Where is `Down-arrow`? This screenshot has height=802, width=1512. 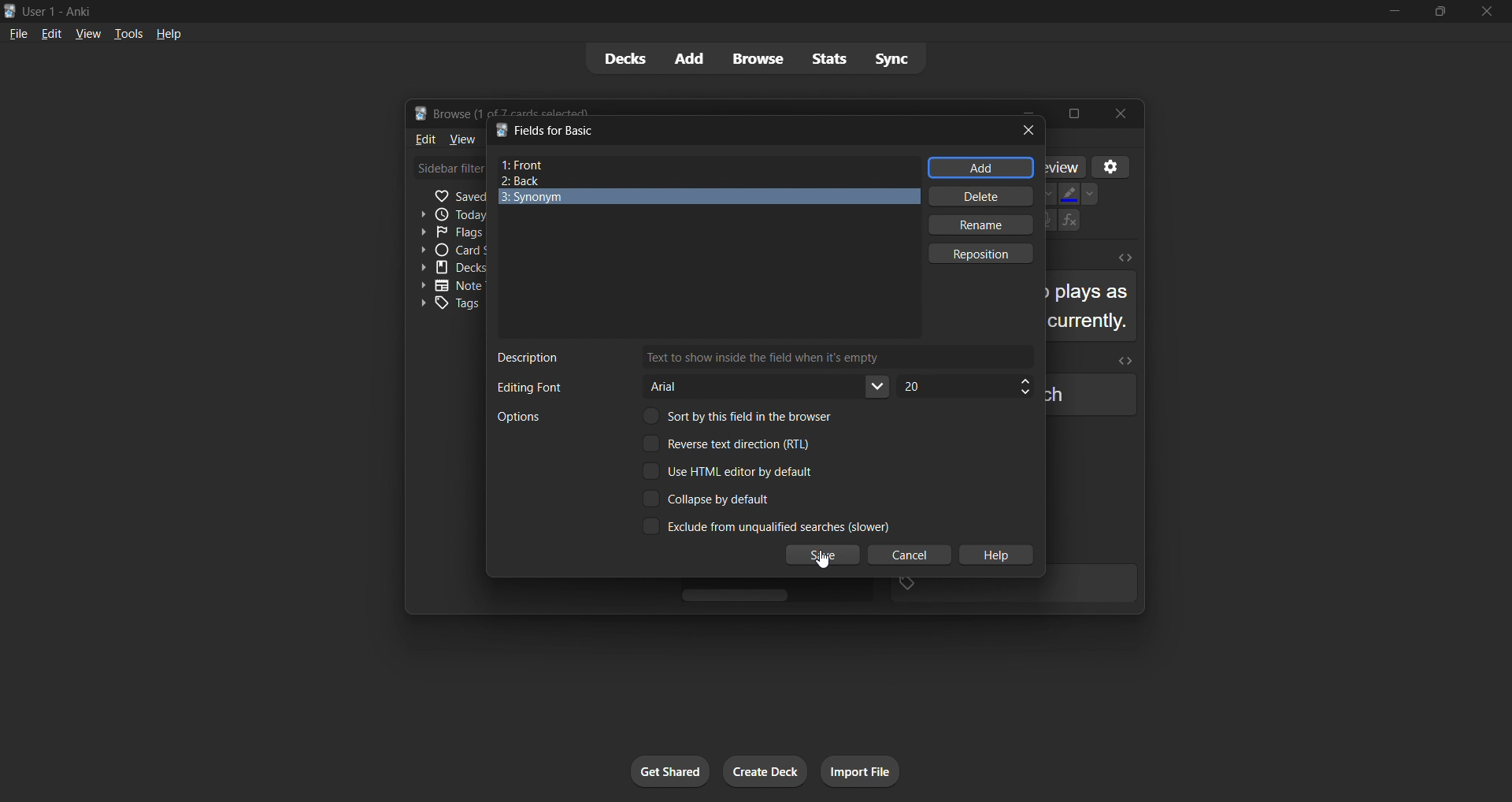
Down-arrow is located at coordinates (1093, 192).